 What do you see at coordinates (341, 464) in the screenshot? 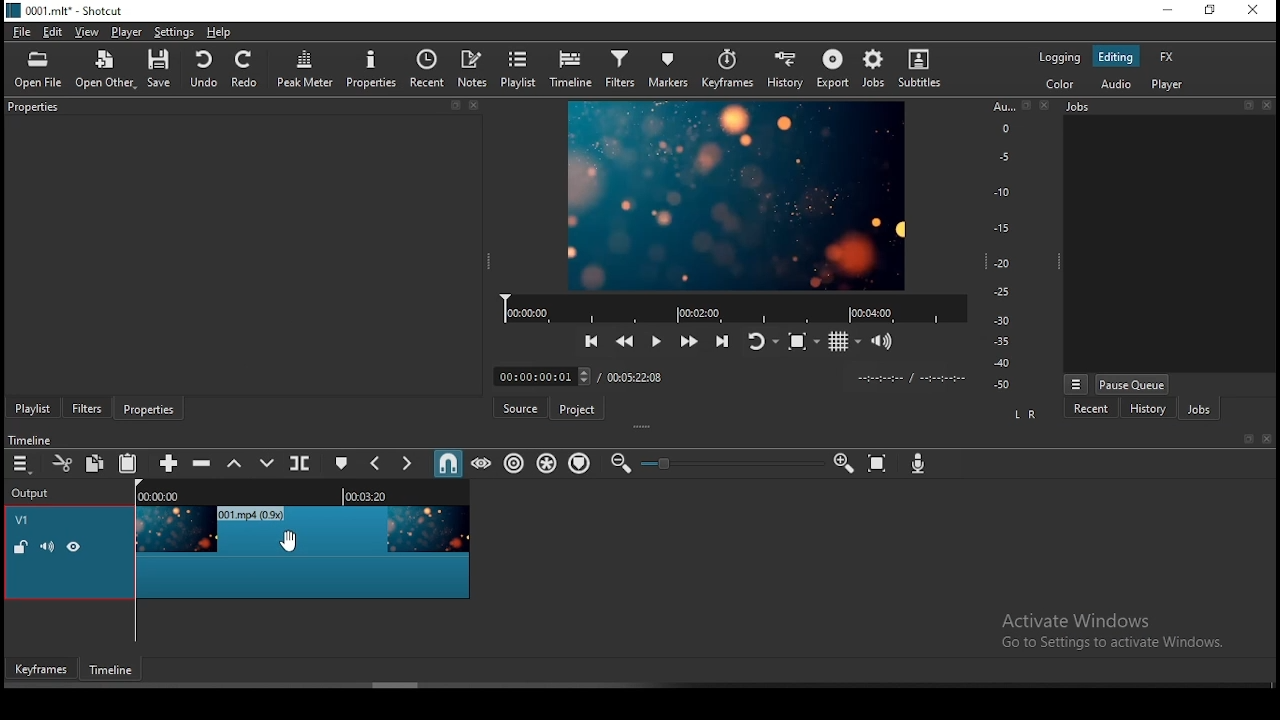
I see `create/edit marker` at bounding box center [341, 464].